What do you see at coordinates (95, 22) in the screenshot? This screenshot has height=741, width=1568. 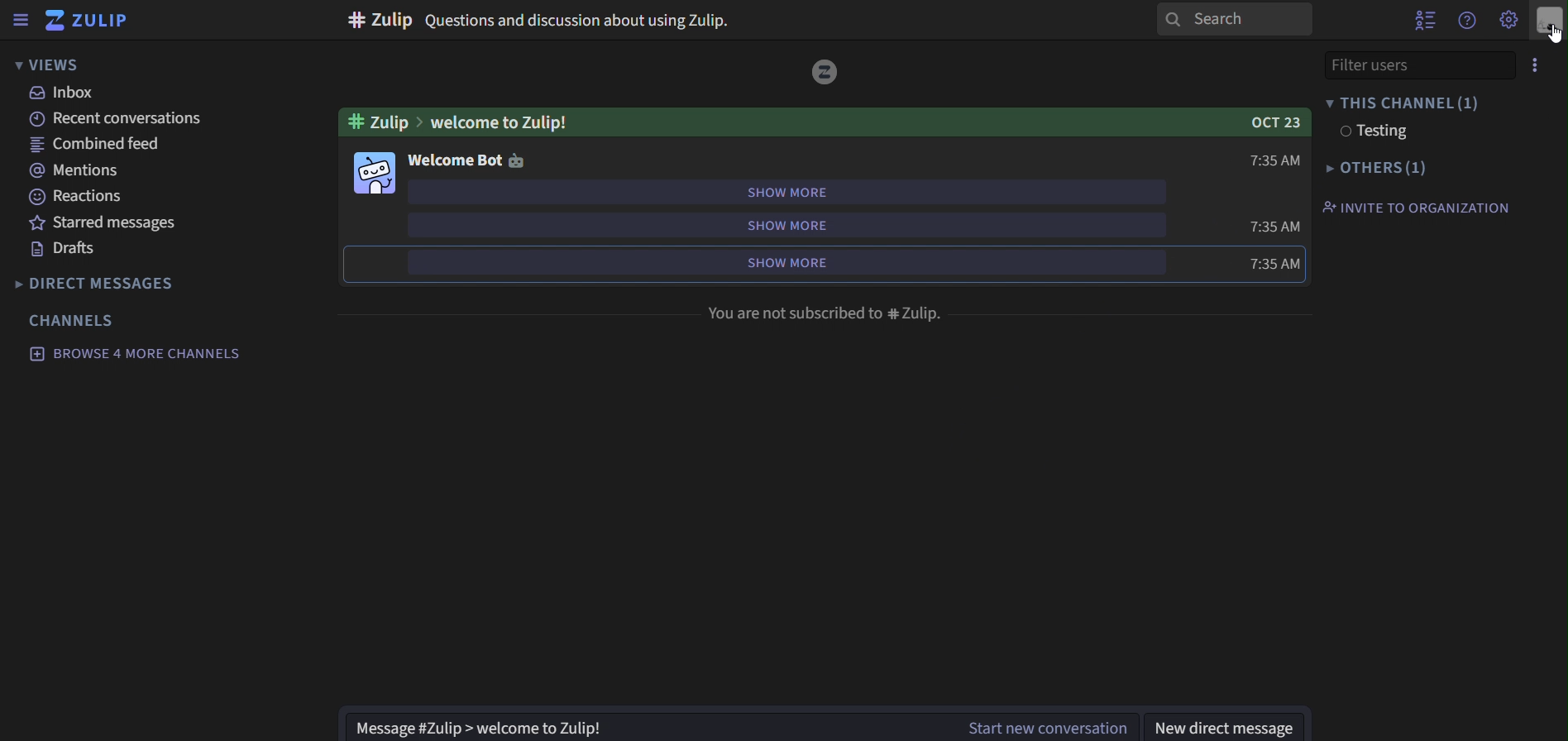 I see `zulip` at bounding box center [95, 22].